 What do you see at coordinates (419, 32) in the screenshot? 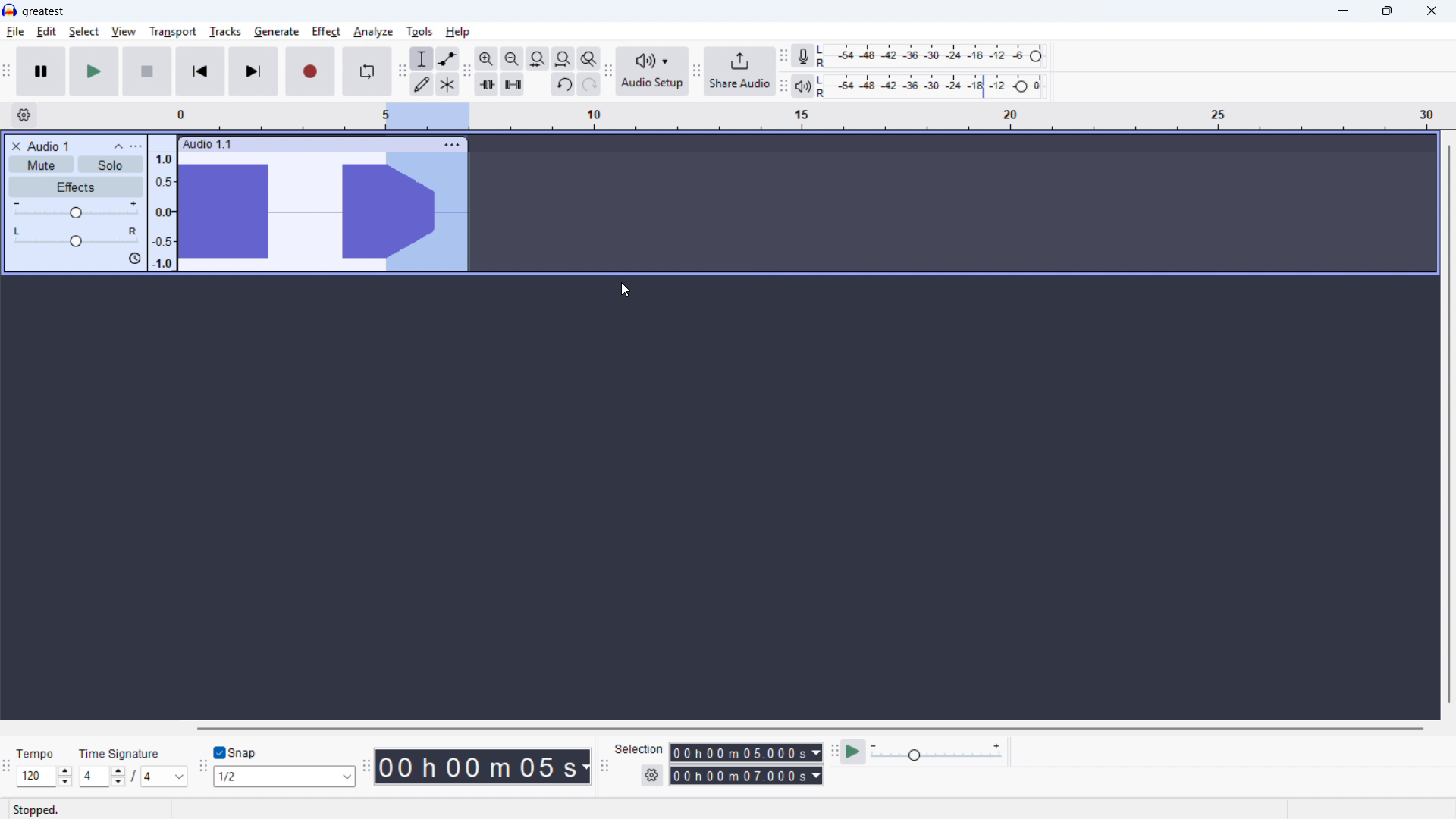
I see `tools` at bounding box center [419, 32].